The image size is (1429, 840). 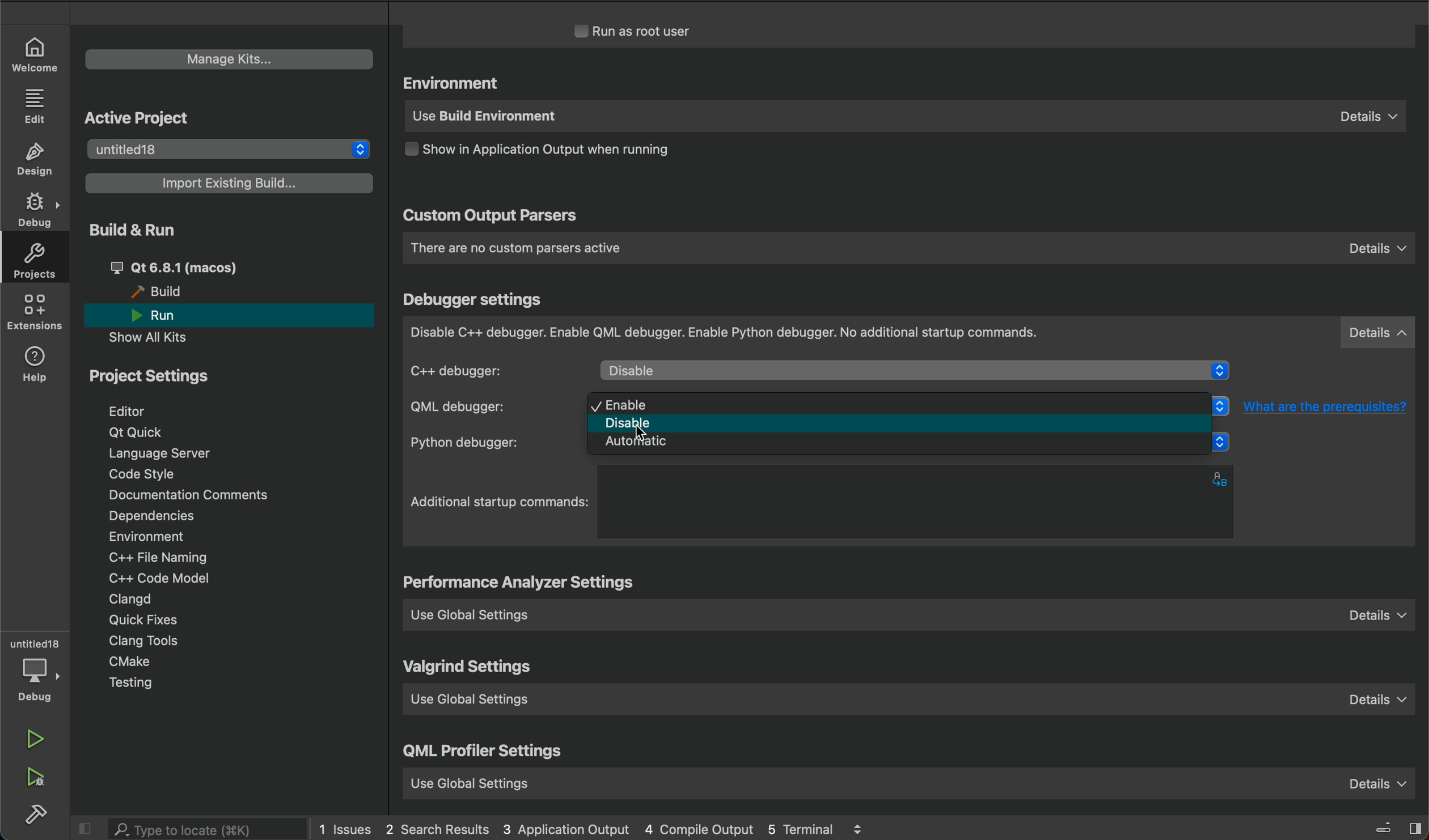 What do you see at coordinates (169, 453) in the screenshot?
I see `language` at bounding box center [169, 453].